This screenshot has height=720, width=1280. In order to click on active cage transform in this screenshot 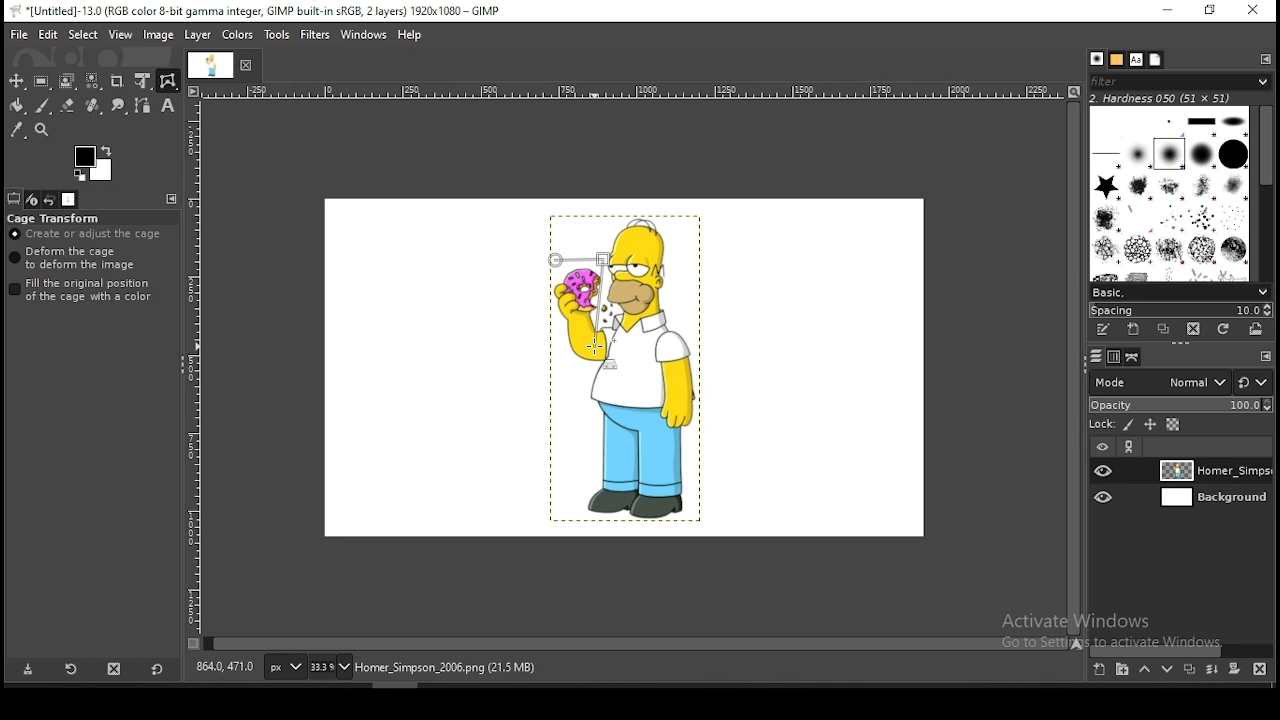, I will do `click(580, 310)`.